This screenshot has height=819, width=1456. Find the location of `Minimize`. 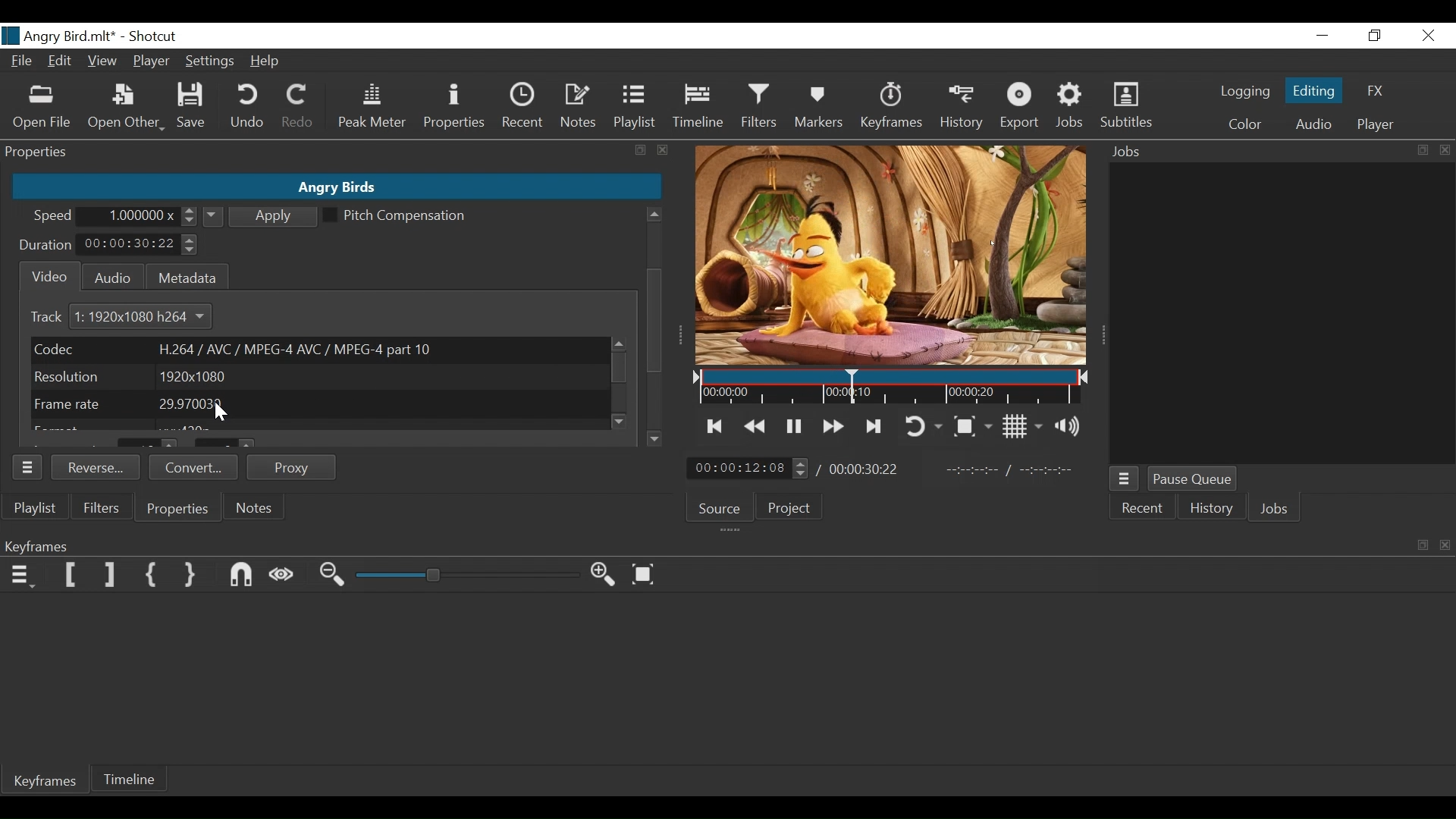

Minimize is located at coordinates (1323, 36).